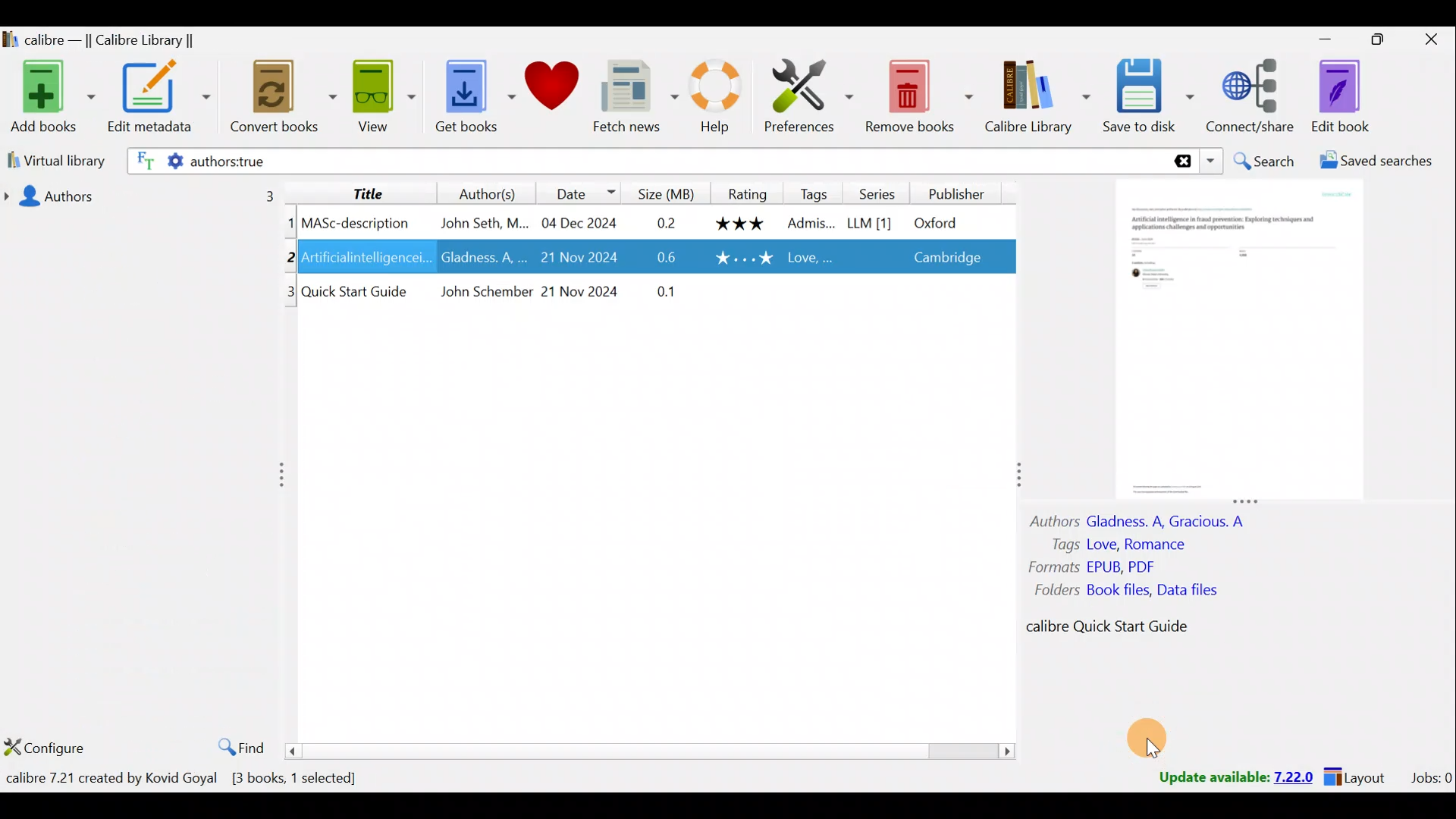 The height and width of the screenshot is (819, 1456). Describe the element at coordinates (240, 747) in the screenshot. I see `Find` at that location.